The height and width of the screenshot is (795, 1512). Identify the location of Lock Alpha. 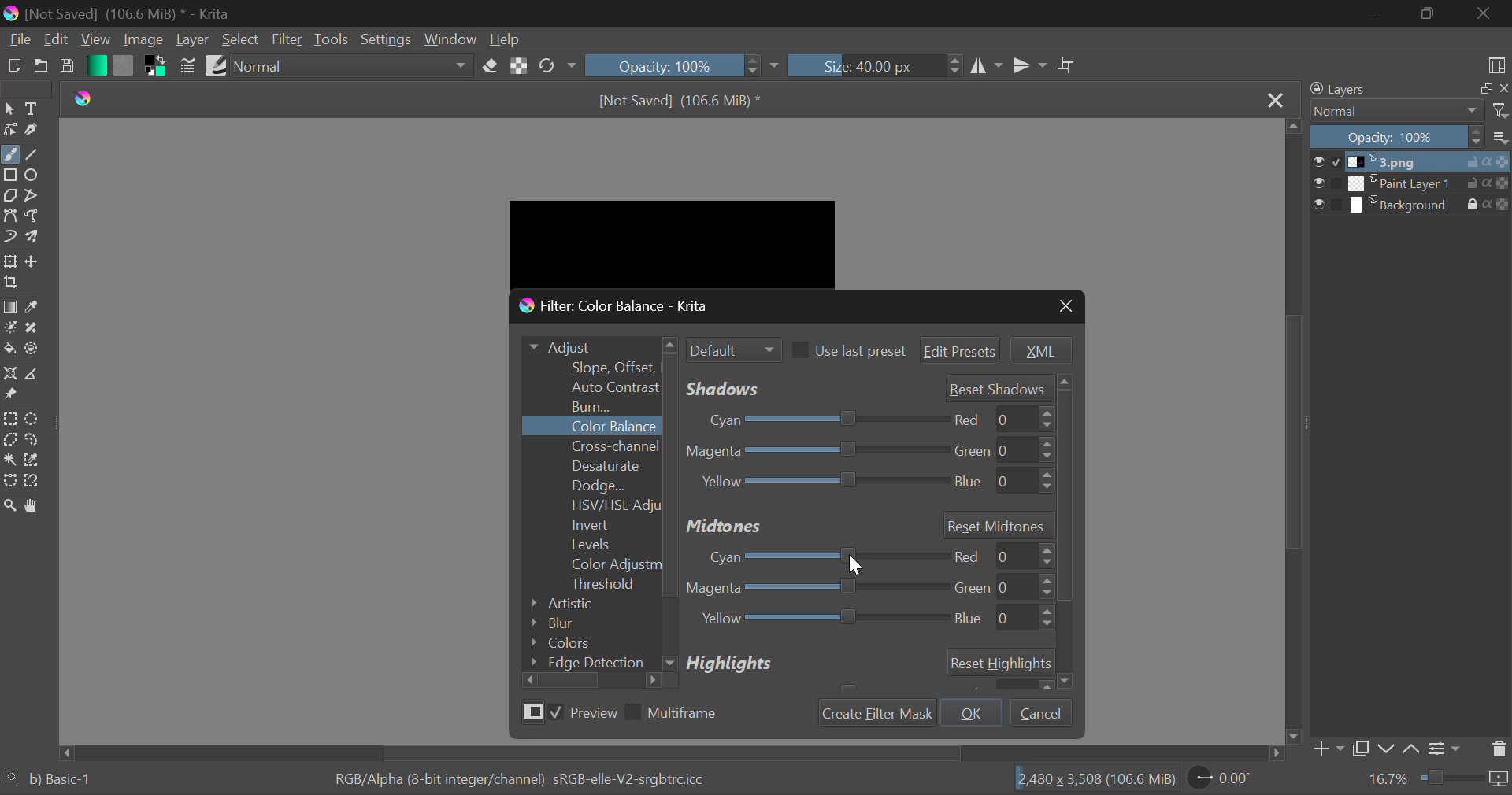
(519, 66).